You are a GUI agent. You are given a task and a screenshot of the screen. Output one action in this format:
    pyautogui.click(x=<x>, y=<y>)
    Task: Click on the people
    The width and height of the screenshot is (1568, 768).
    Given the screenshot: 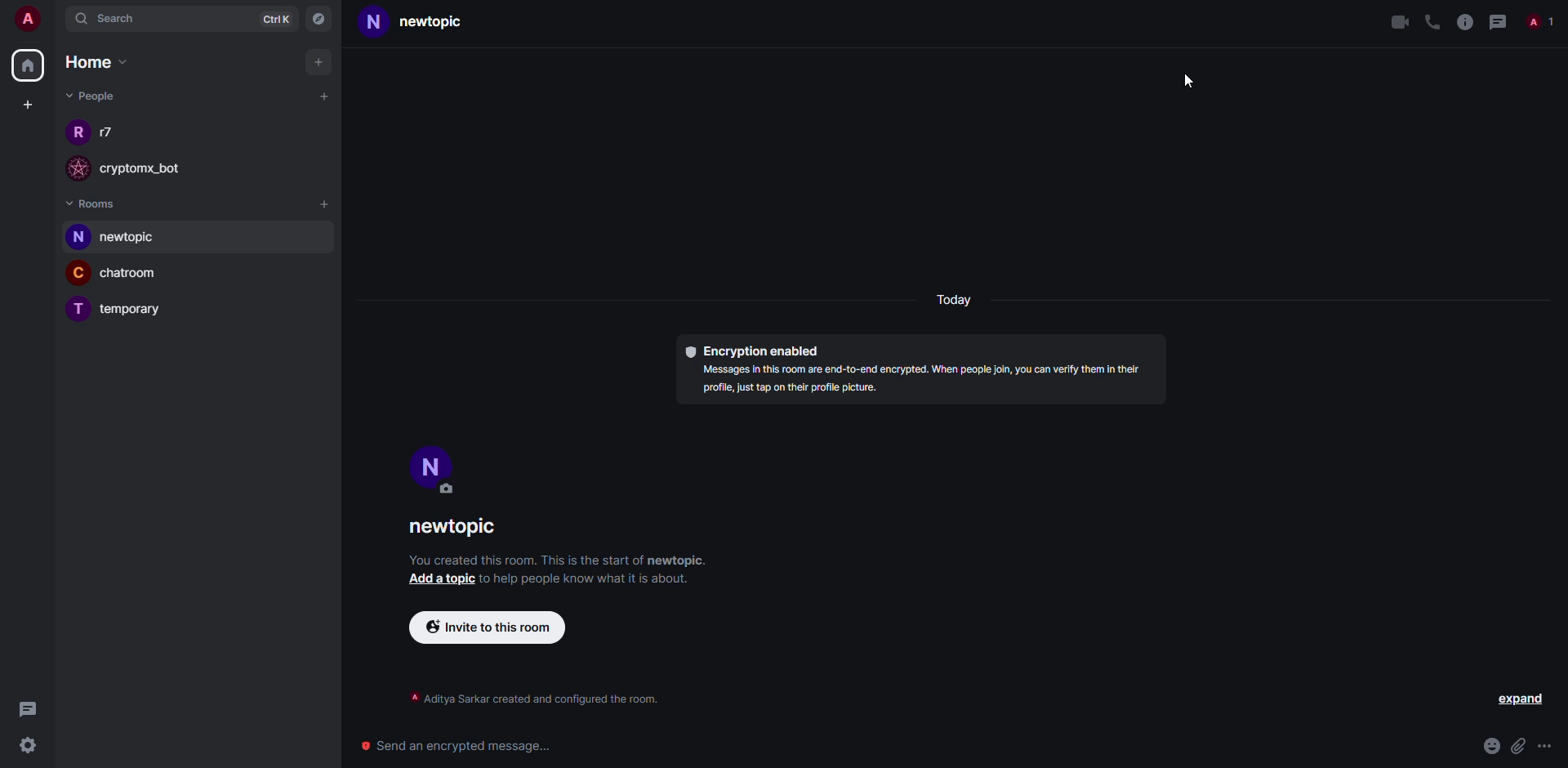 What is the action you would take?
    pyautogui.click(x=89, y=96)
    